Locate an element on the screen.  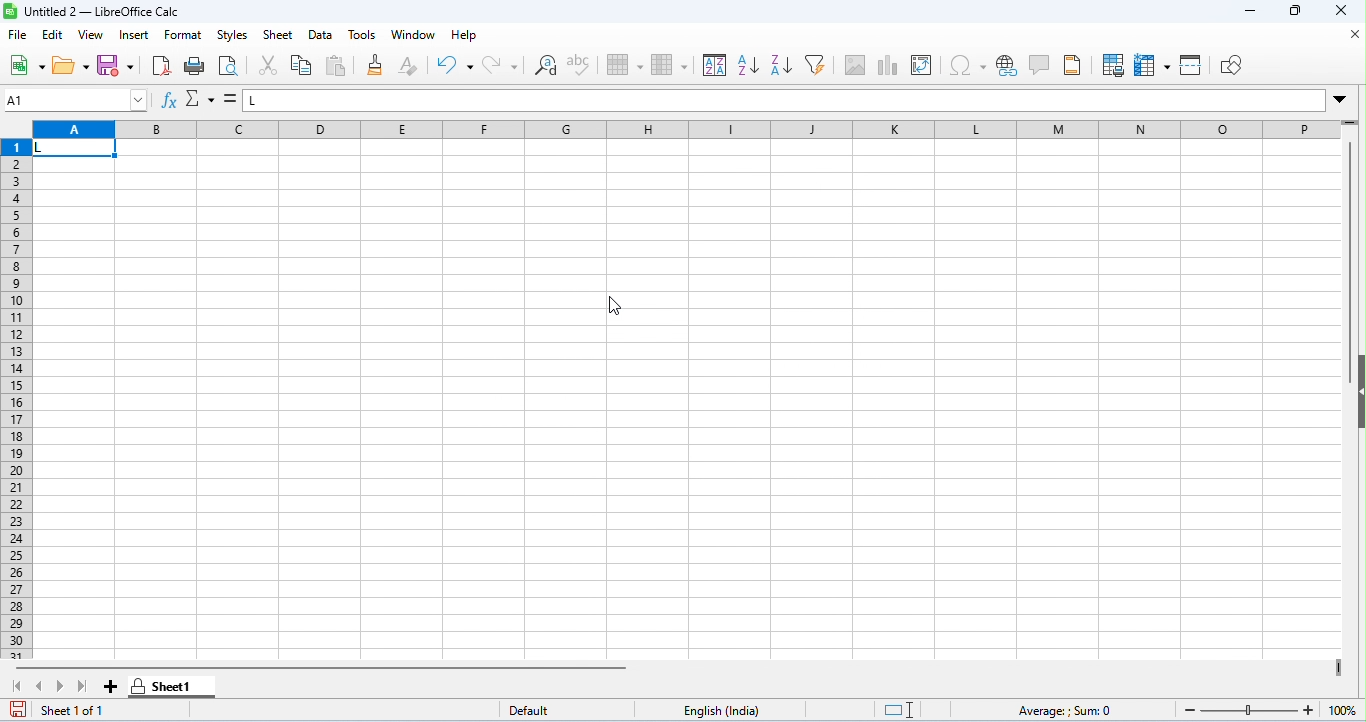
freeze rows and columns is located at coordinates (1153, 66).